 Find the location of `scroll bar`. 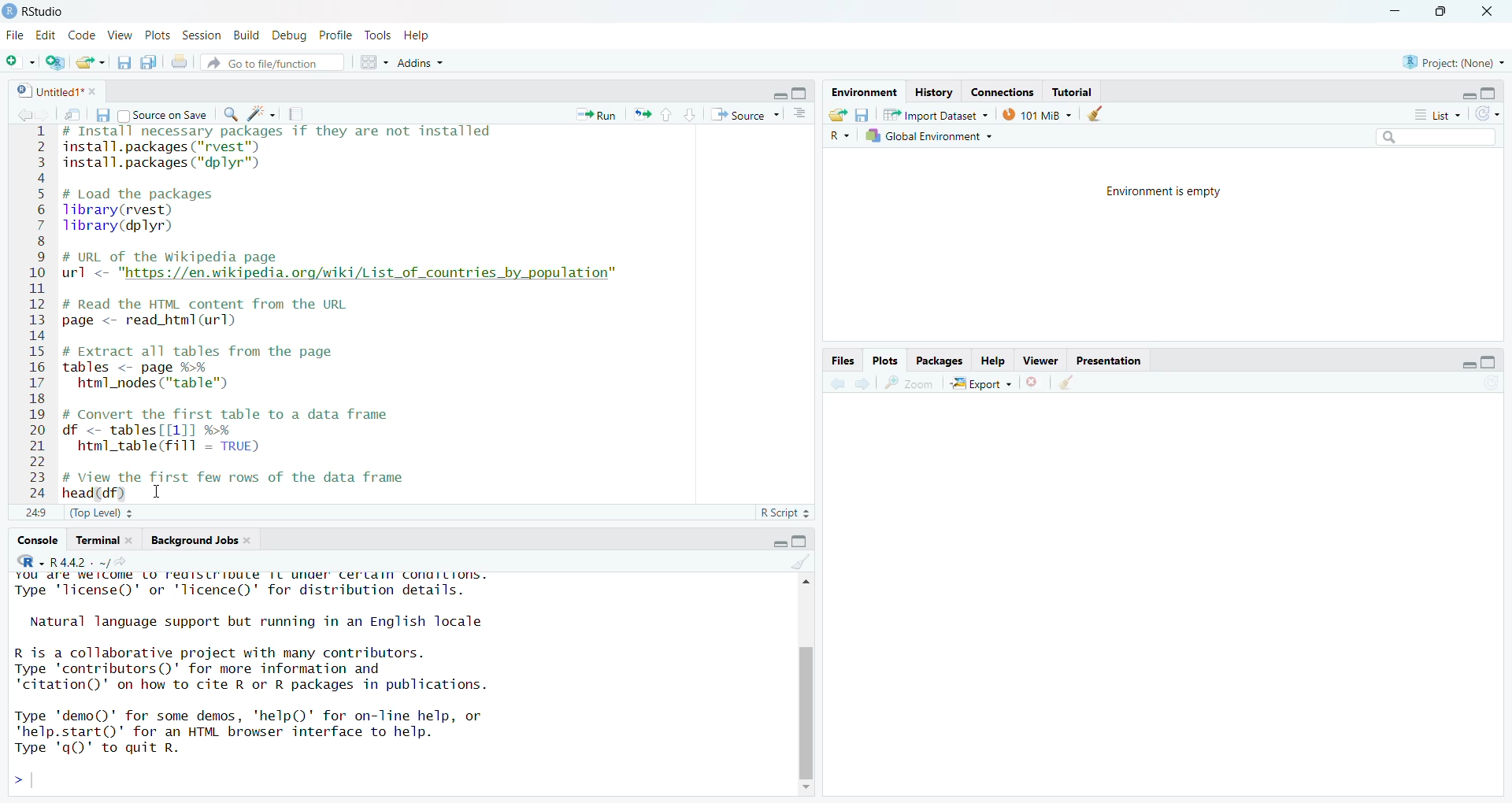

scroll bar is located at coordinates (806, 711).